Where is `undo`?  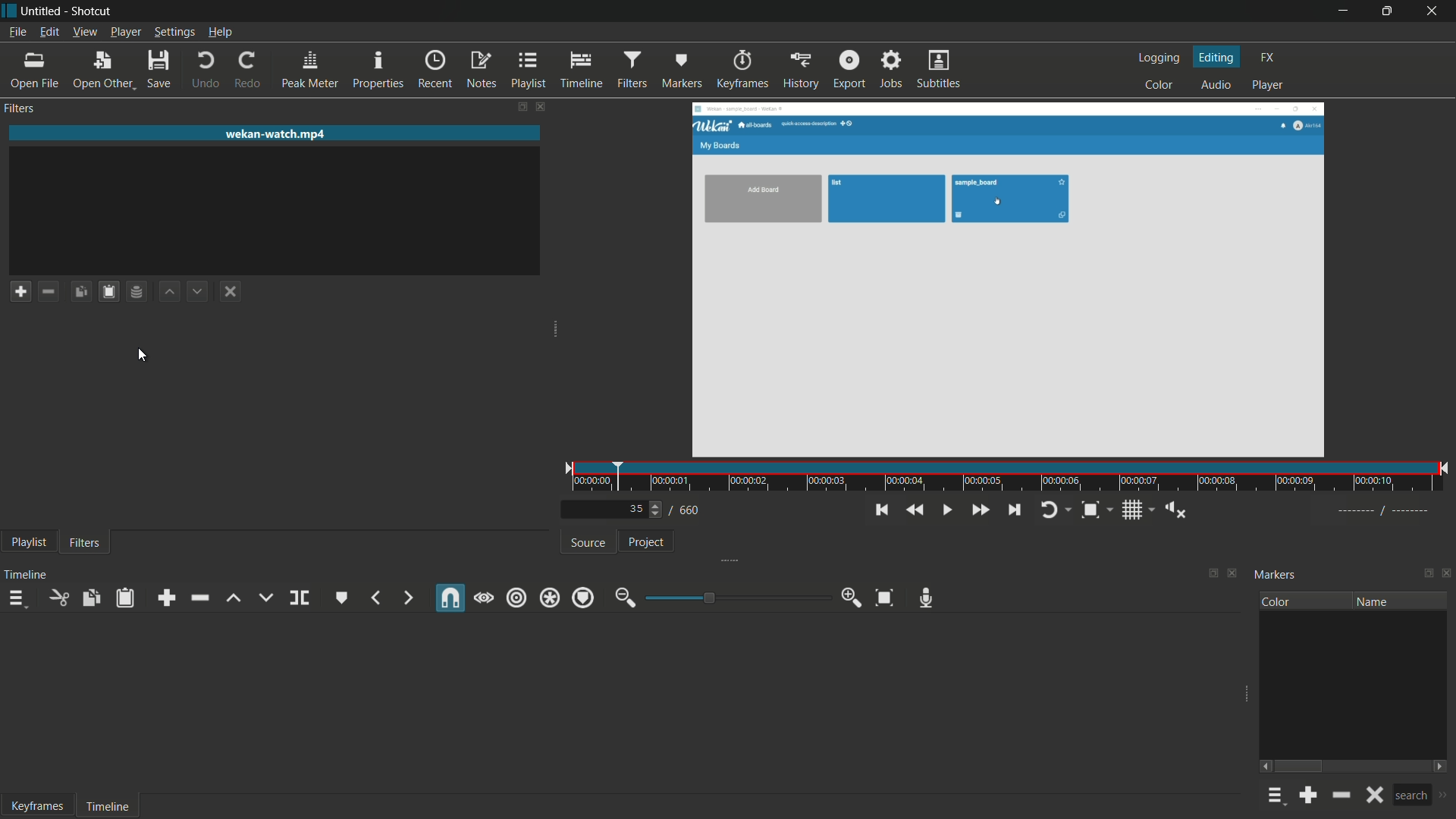
undo is located at coordinates (206, 71).